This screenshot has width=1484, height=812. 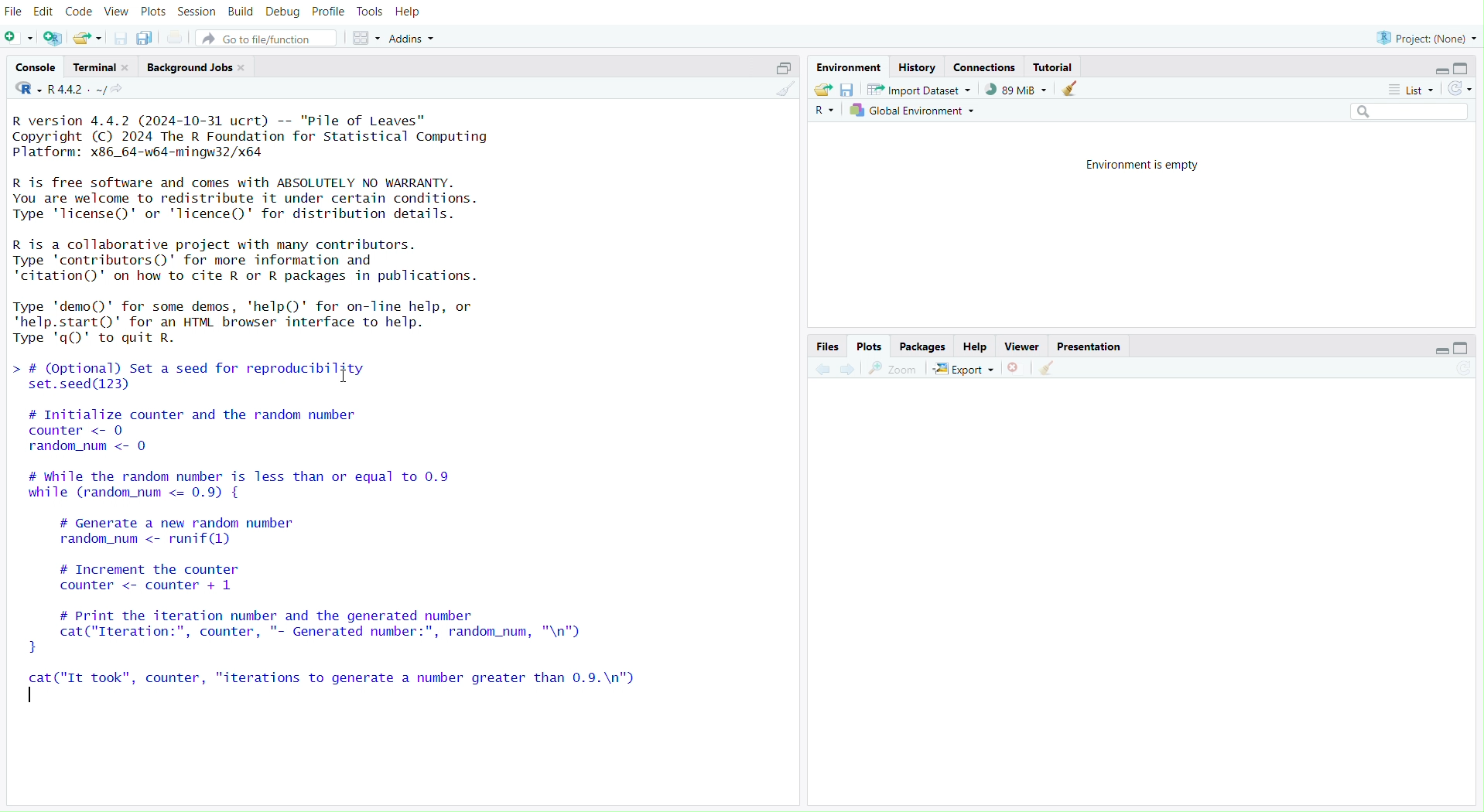 I want to click on Go forward to the next source location (Ctrl + F10), so click(x=850, y=367).